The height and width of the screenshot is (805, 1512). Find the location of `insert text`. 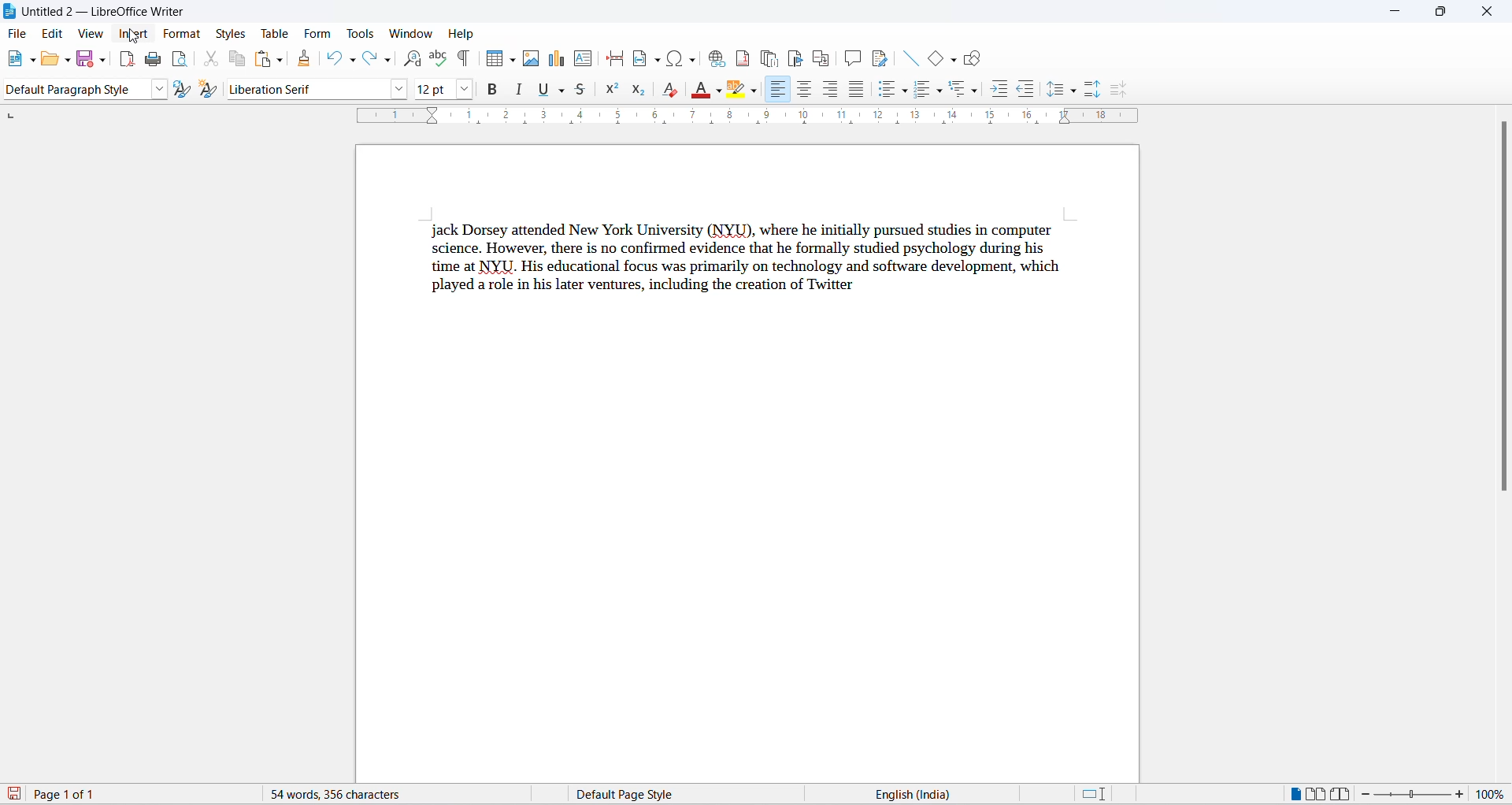

insert text is located at coordinates (584, 58).